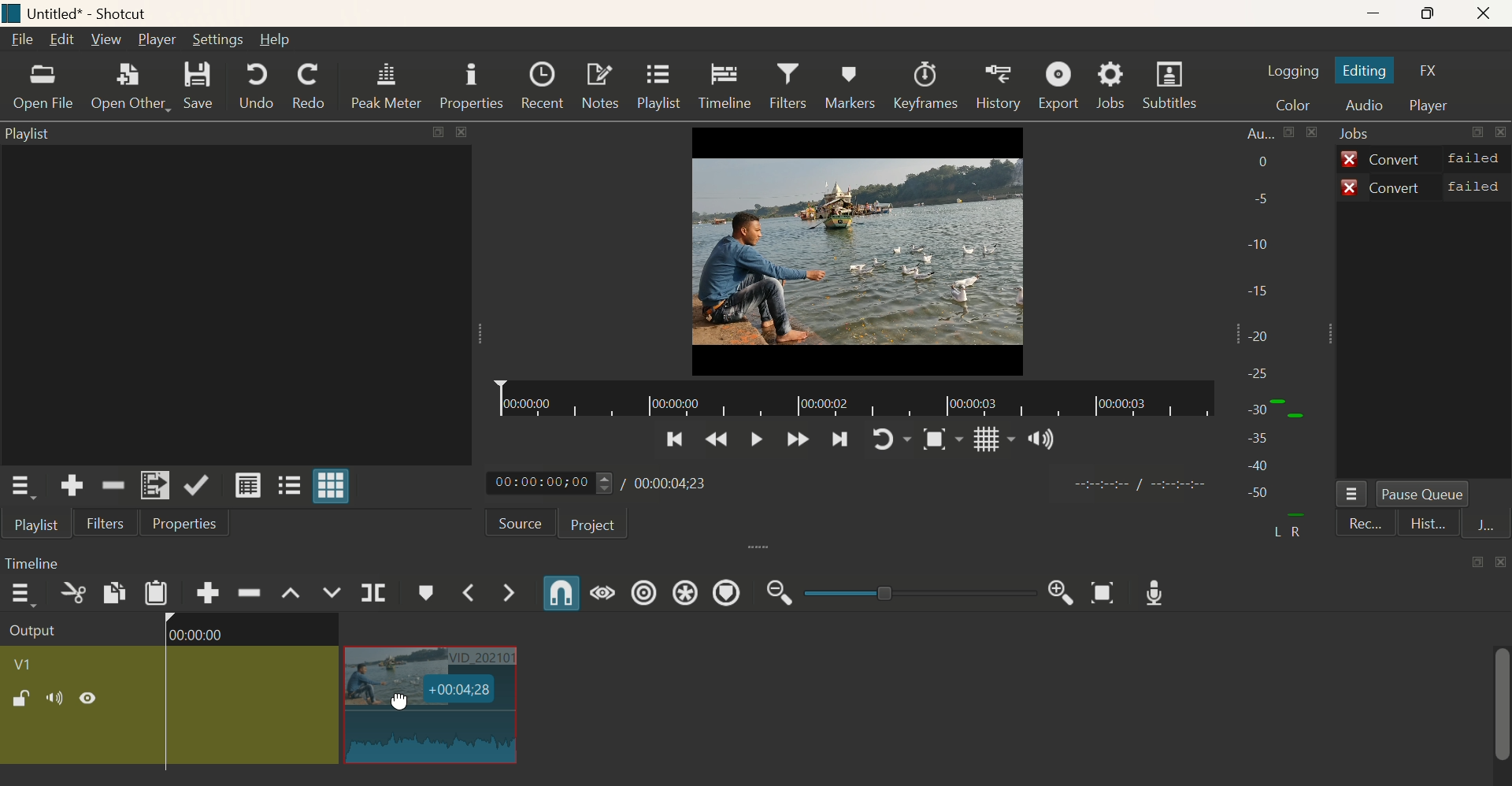  Describe the element at coordinates (257, 86) in the screenshot. I see `Undo` at that location.